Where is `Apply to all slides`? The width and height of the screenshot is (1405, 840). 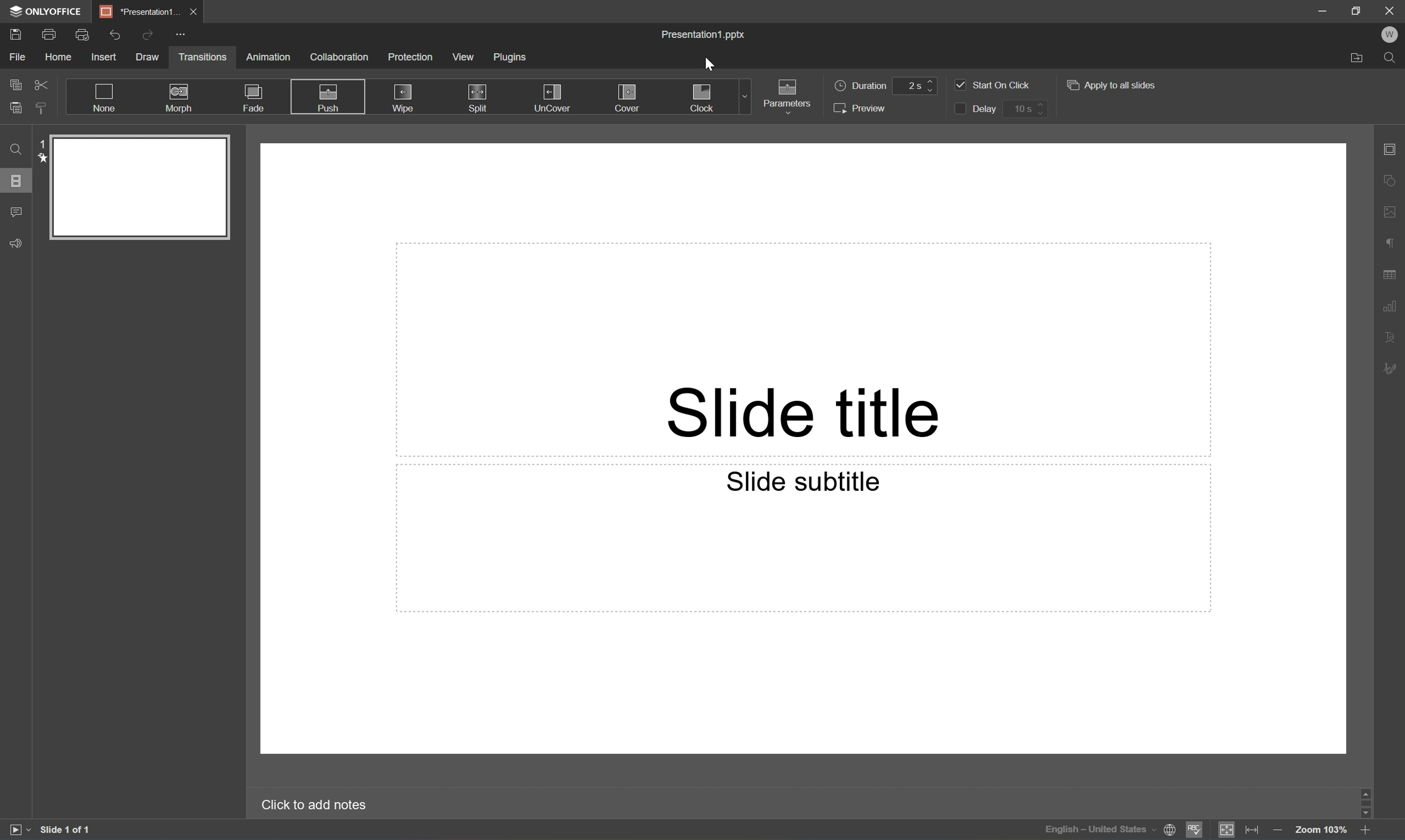 Apply to all slides is located at coordinates (1115, 84).